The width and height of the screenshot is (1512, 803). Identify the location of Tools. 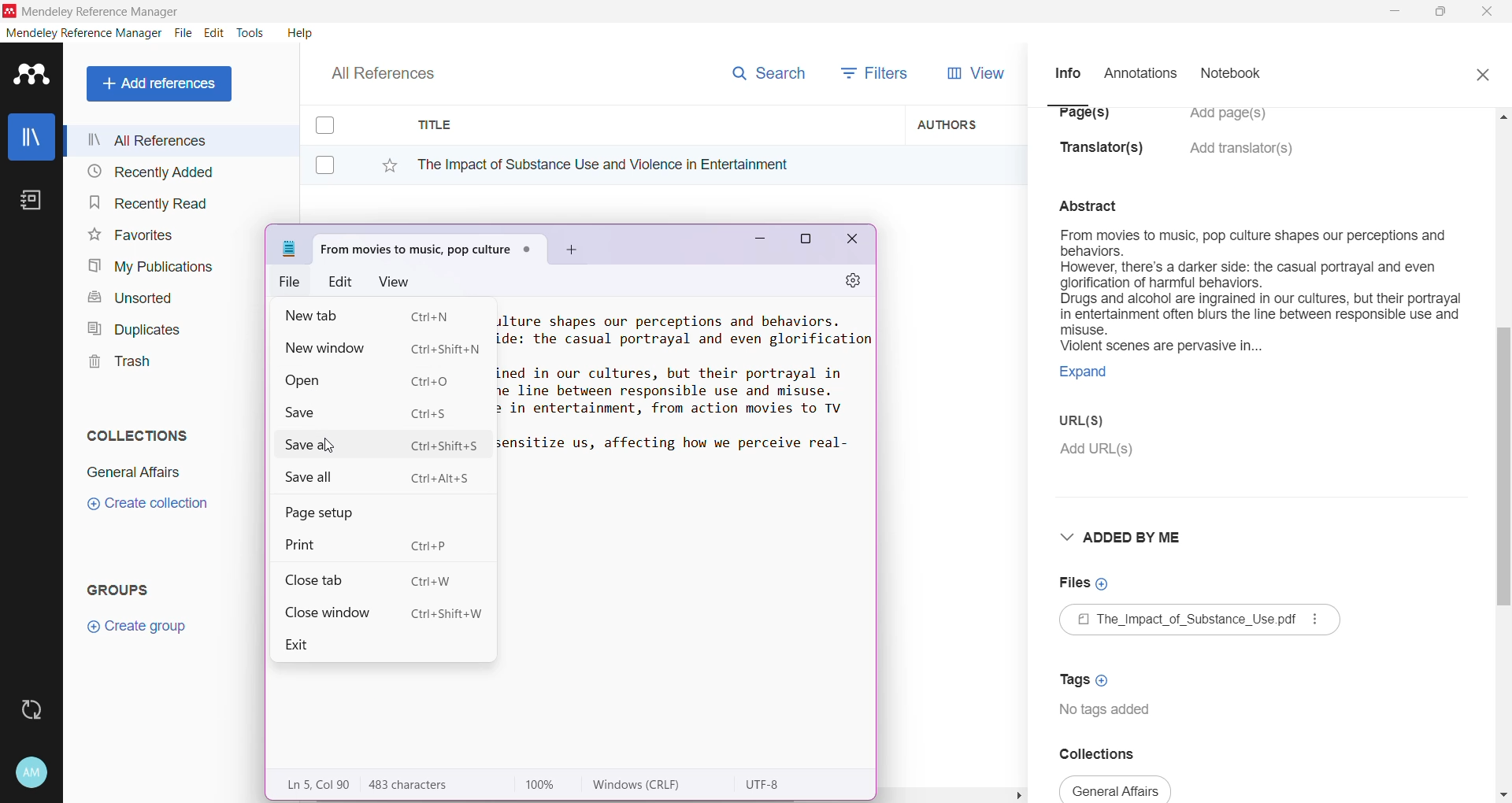
(251, 33).